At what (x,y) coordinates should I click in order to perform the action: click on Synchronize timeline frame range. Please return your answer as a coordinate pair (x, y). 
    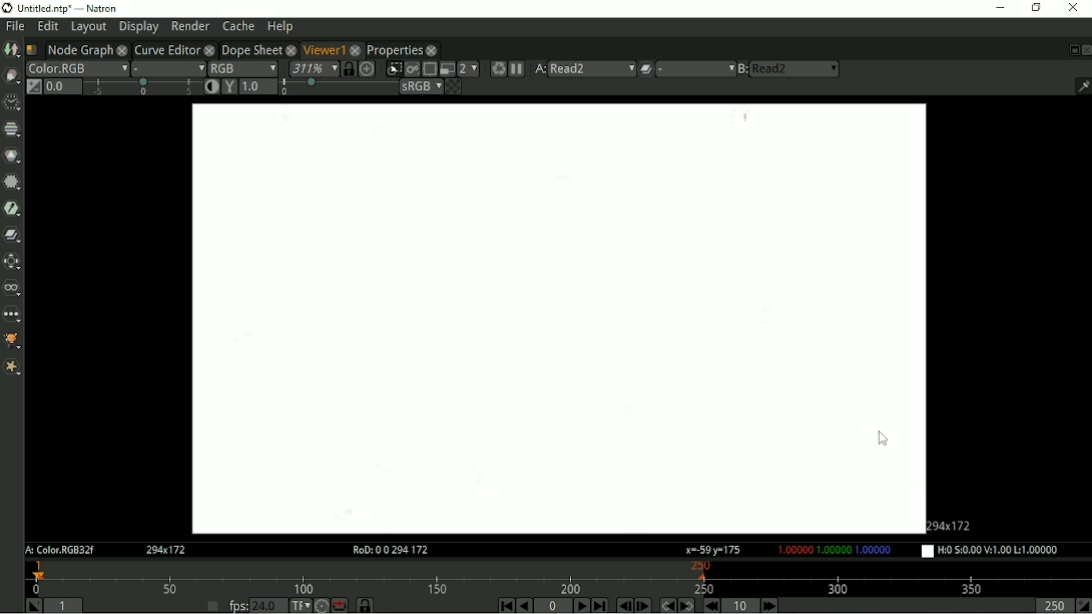
    Looking at the image, I should click on (364, 605).